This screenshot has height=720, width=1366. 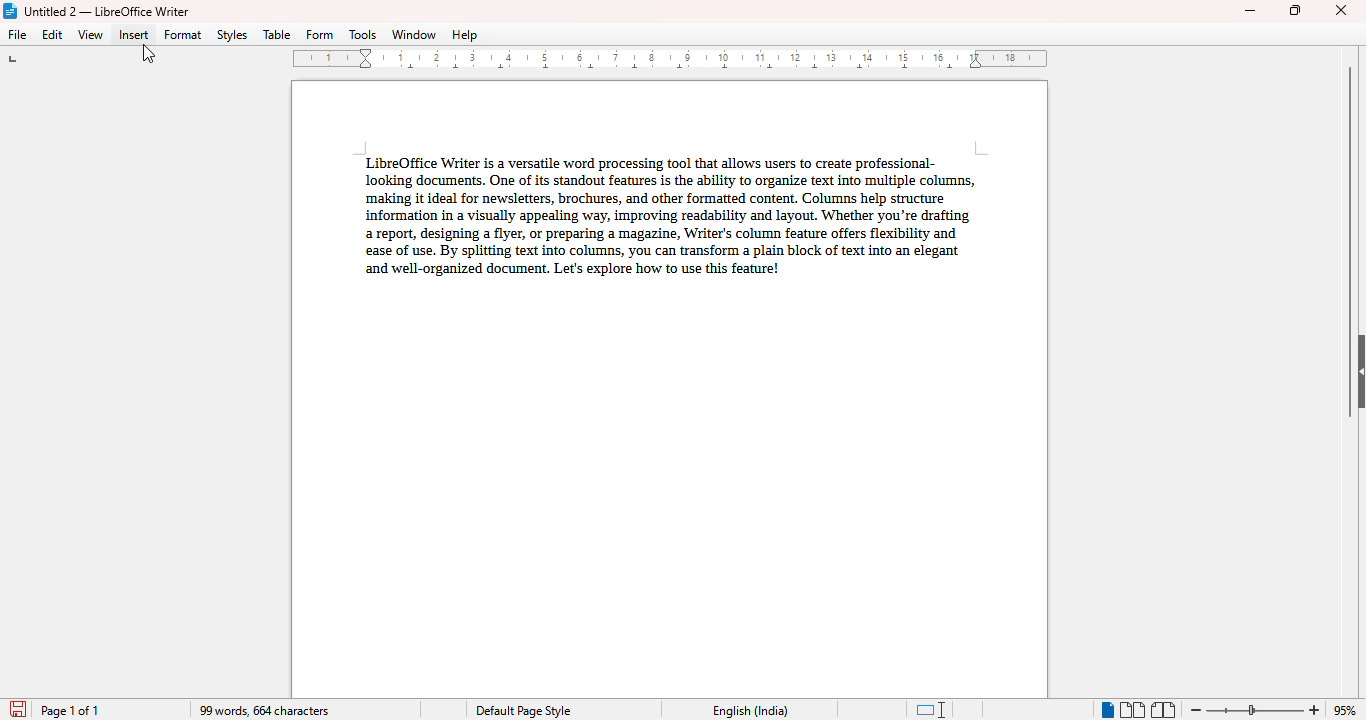 What do you see at coordinates (1162, 709) in the screenshot?
I see `book view` at bounding box center [1162, 709].